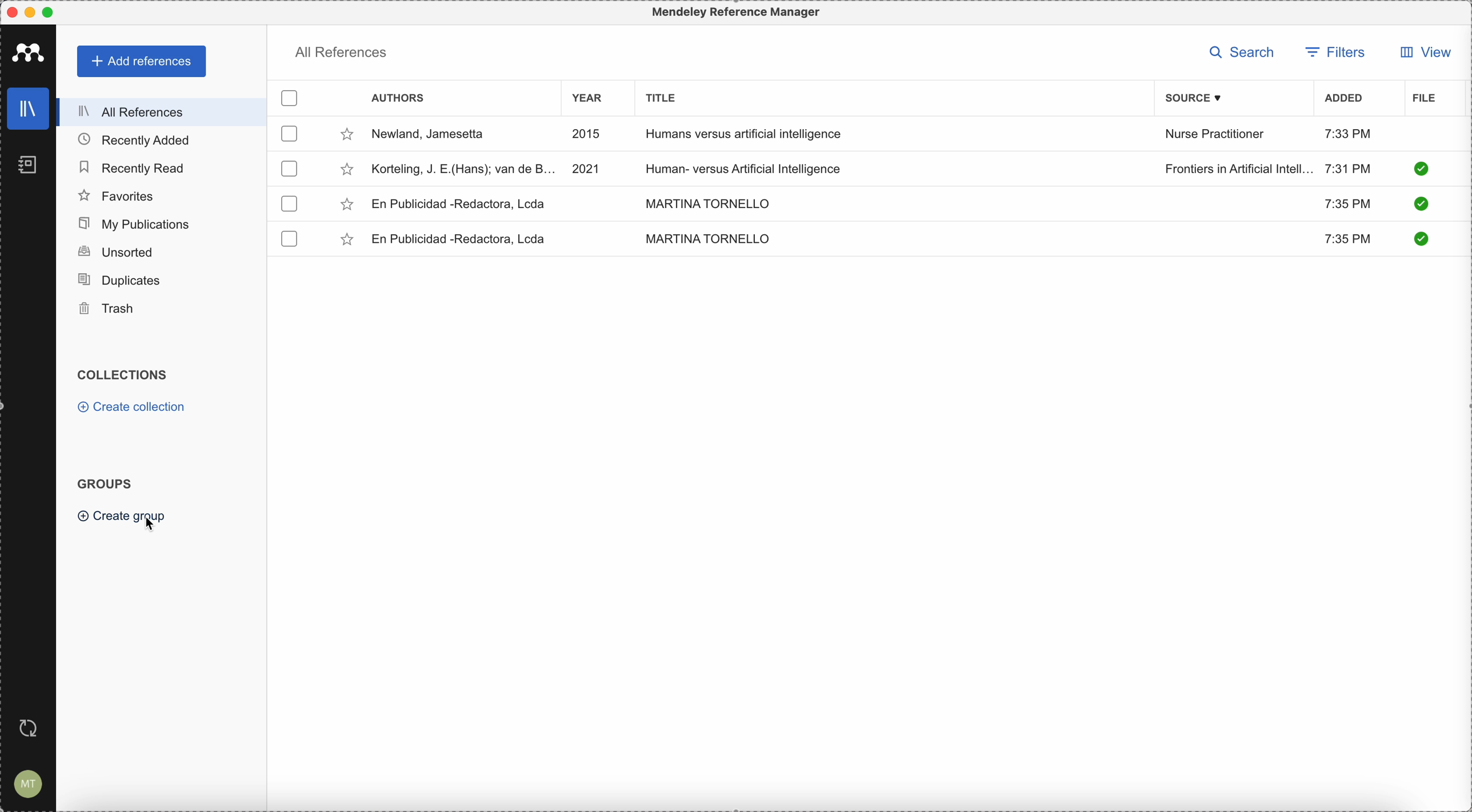  Describe the element at coordinates (589, 135) in the screenshot. I see `2015` at that location.